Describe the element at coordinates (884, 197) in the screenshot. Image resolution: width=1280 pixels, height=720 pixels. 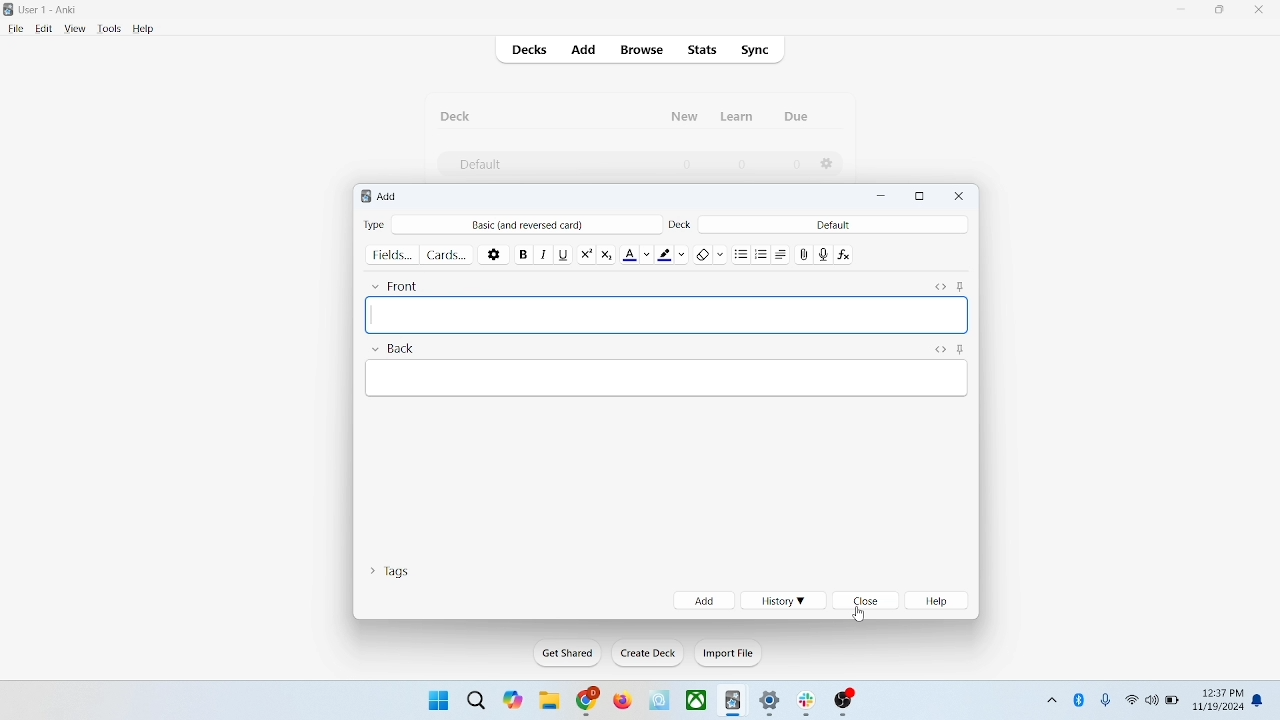
I see `minimize` at that location.